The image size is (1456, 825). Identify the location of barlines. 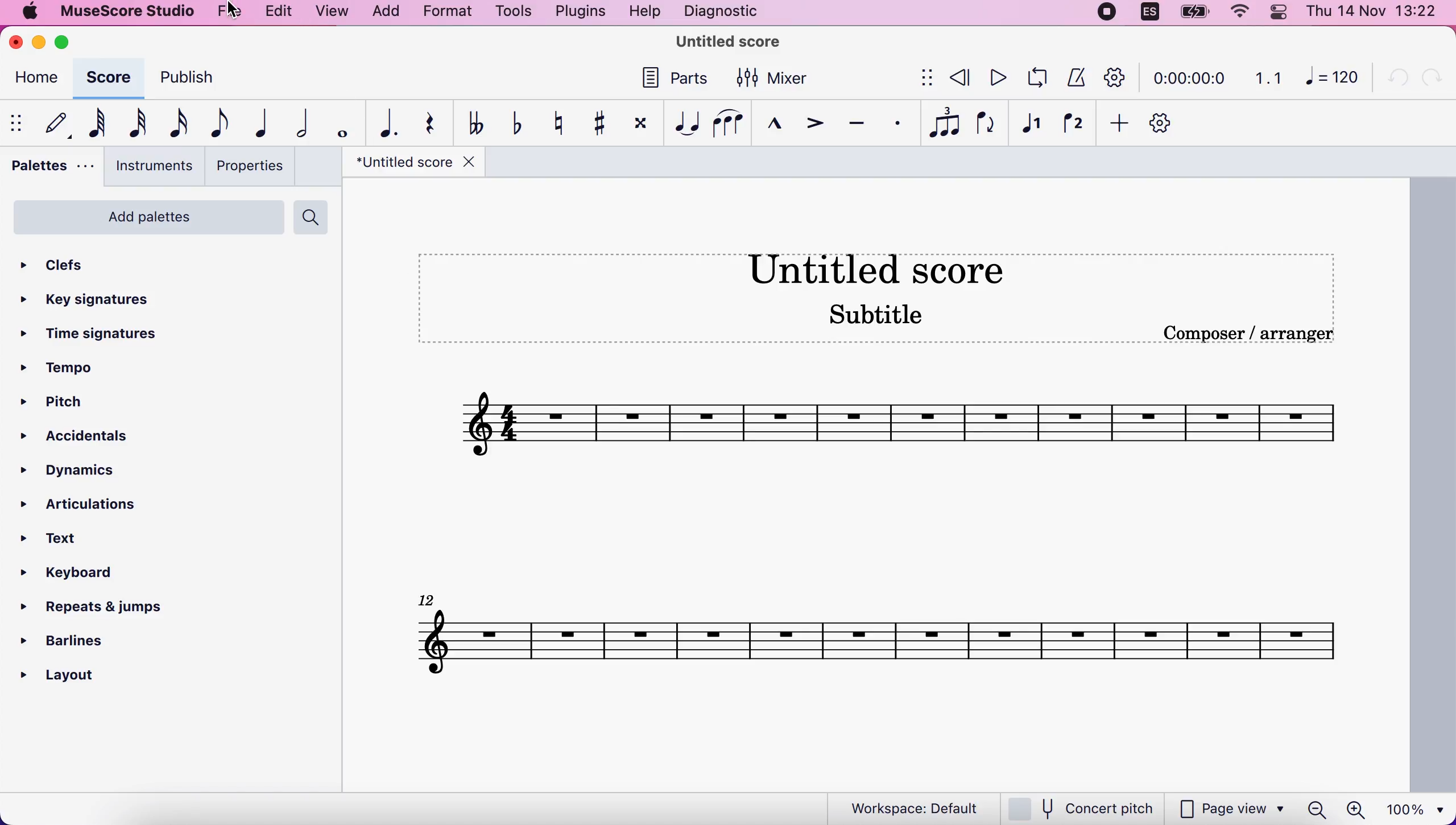
(78, 643).